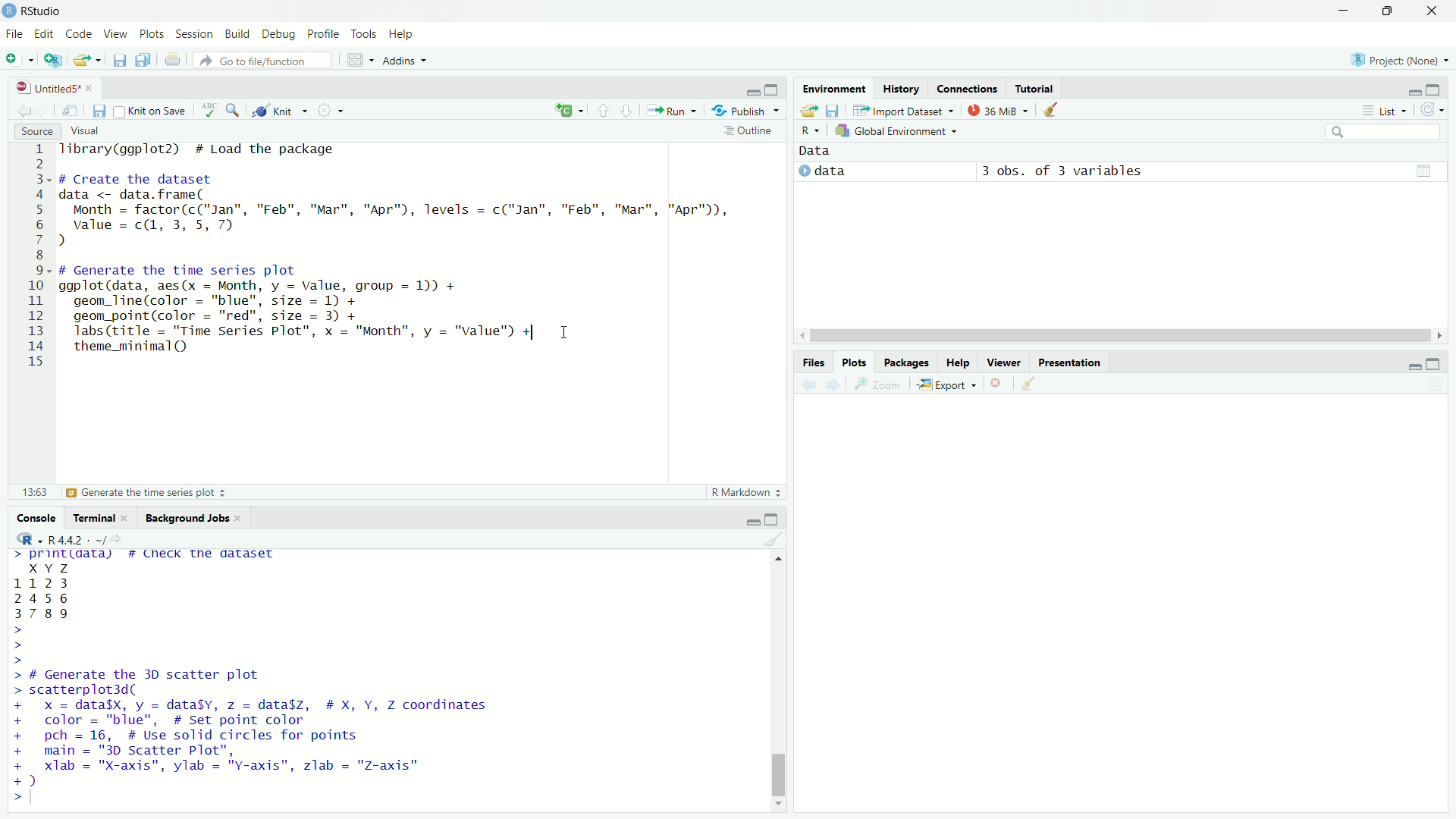 This screenshot has width=1456, height=819. I want to click on close, so click(241, 516).